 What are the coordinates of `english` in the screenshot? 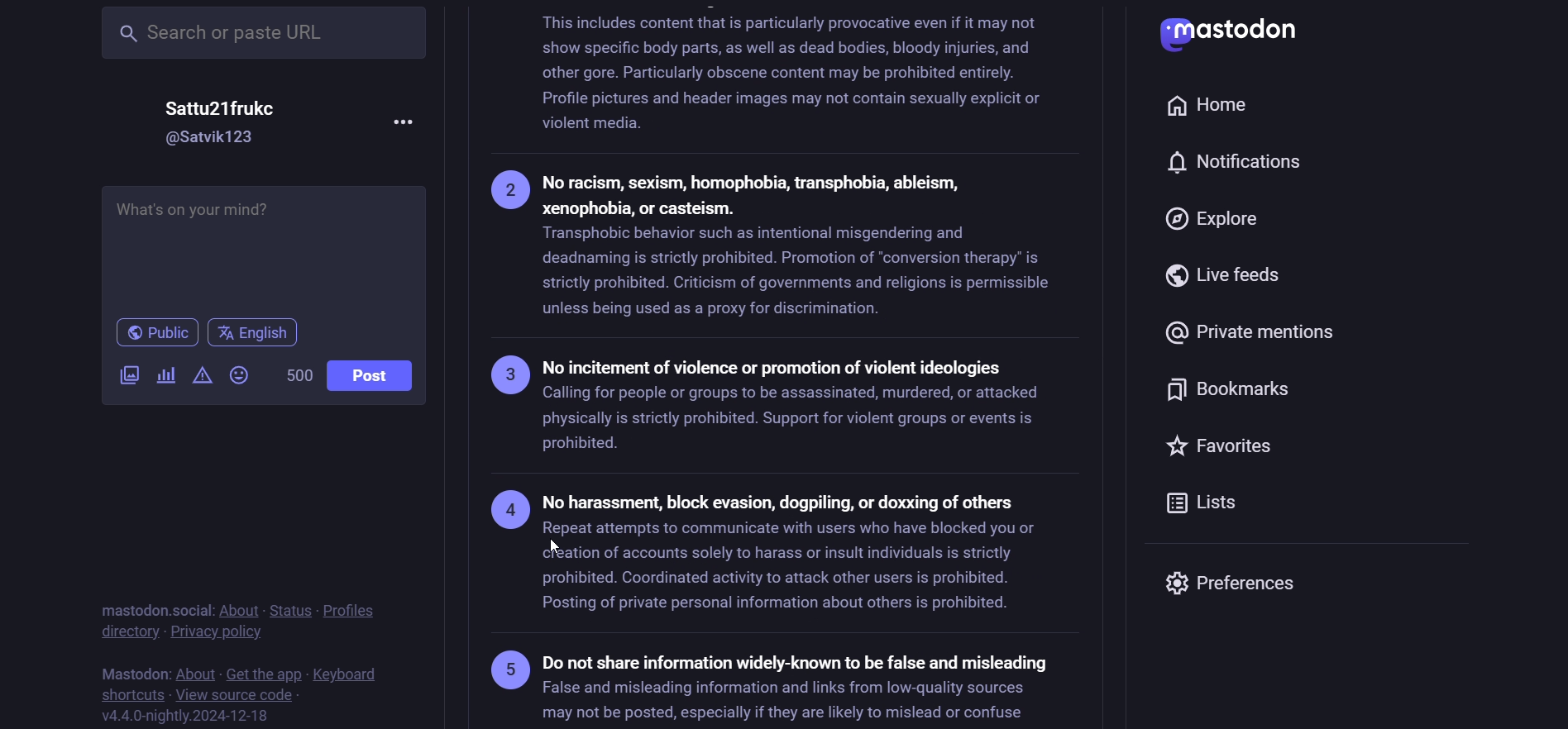 It's located at (256, 333).